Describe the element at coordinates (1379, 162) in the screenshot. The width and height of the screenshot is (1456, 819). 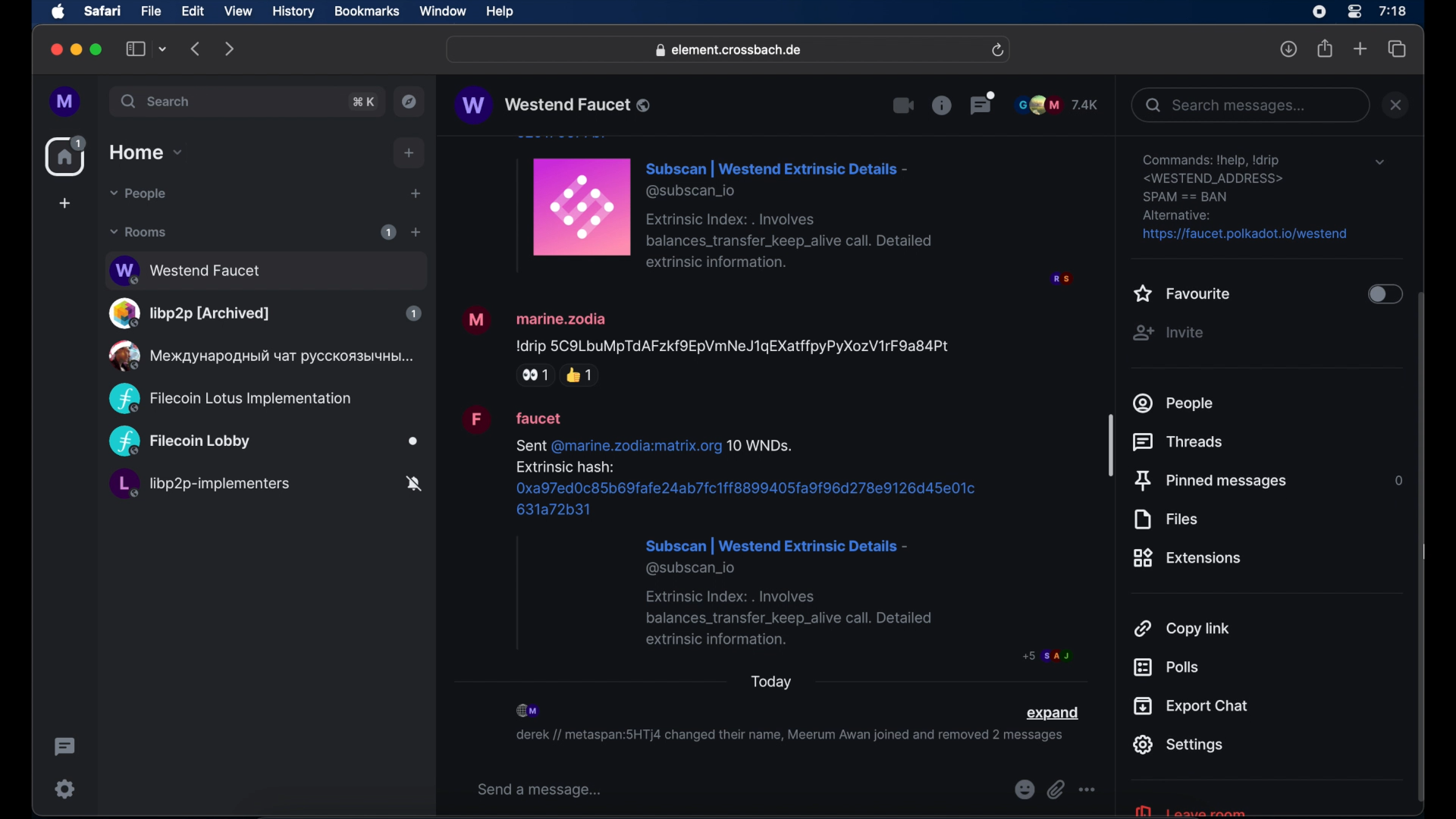
I see `dropdown` at that location.